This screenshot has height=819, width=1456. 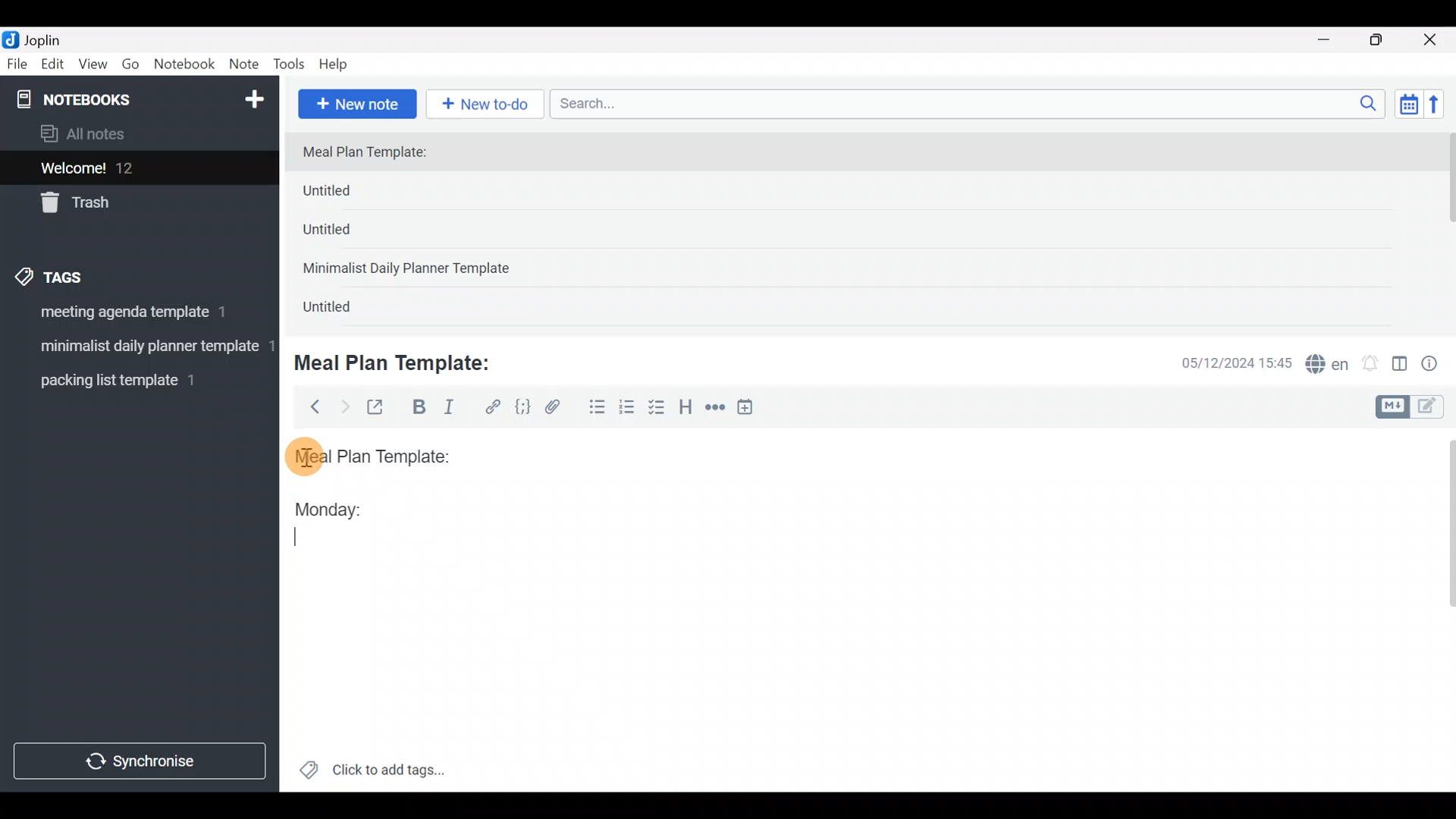 What do you see at coordinates (352, 194) in the screenshot?
I see `Untitled` at bounding box center [352, 194].